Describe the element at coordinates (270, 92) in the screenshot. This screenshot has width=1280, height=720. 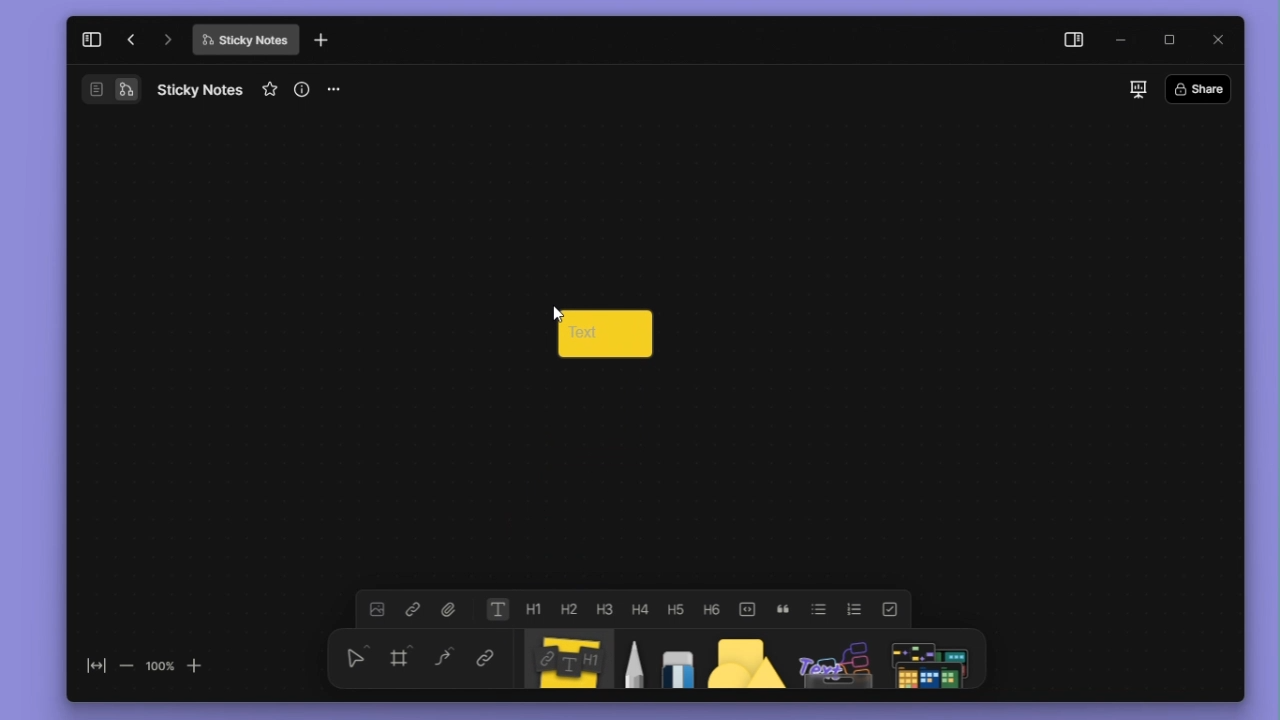
I see `favourite` at that location.